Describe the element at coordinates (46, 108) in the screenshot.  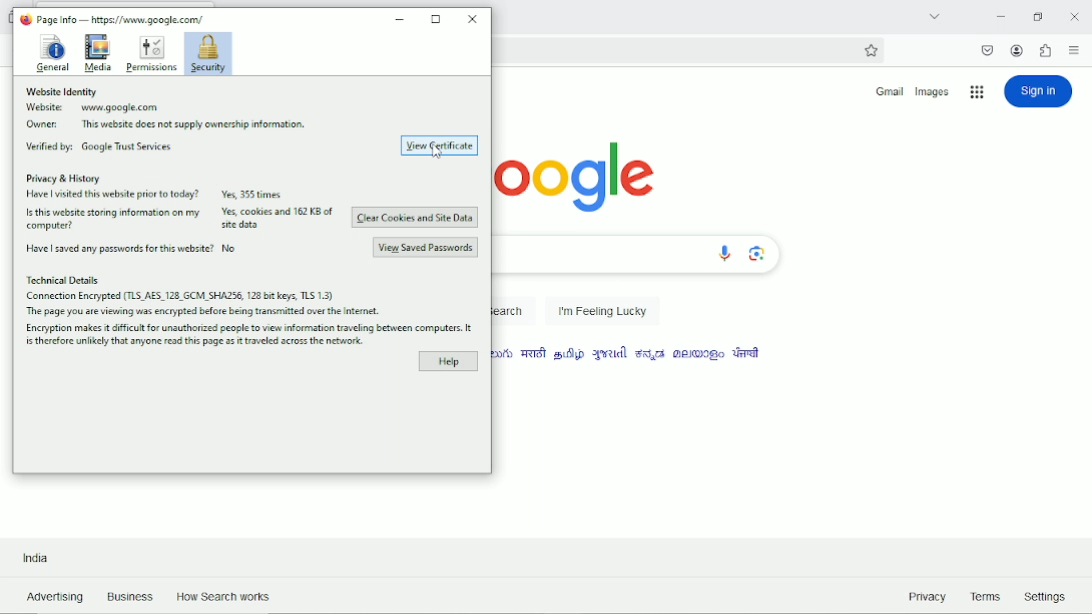
I see `Website` at that location.